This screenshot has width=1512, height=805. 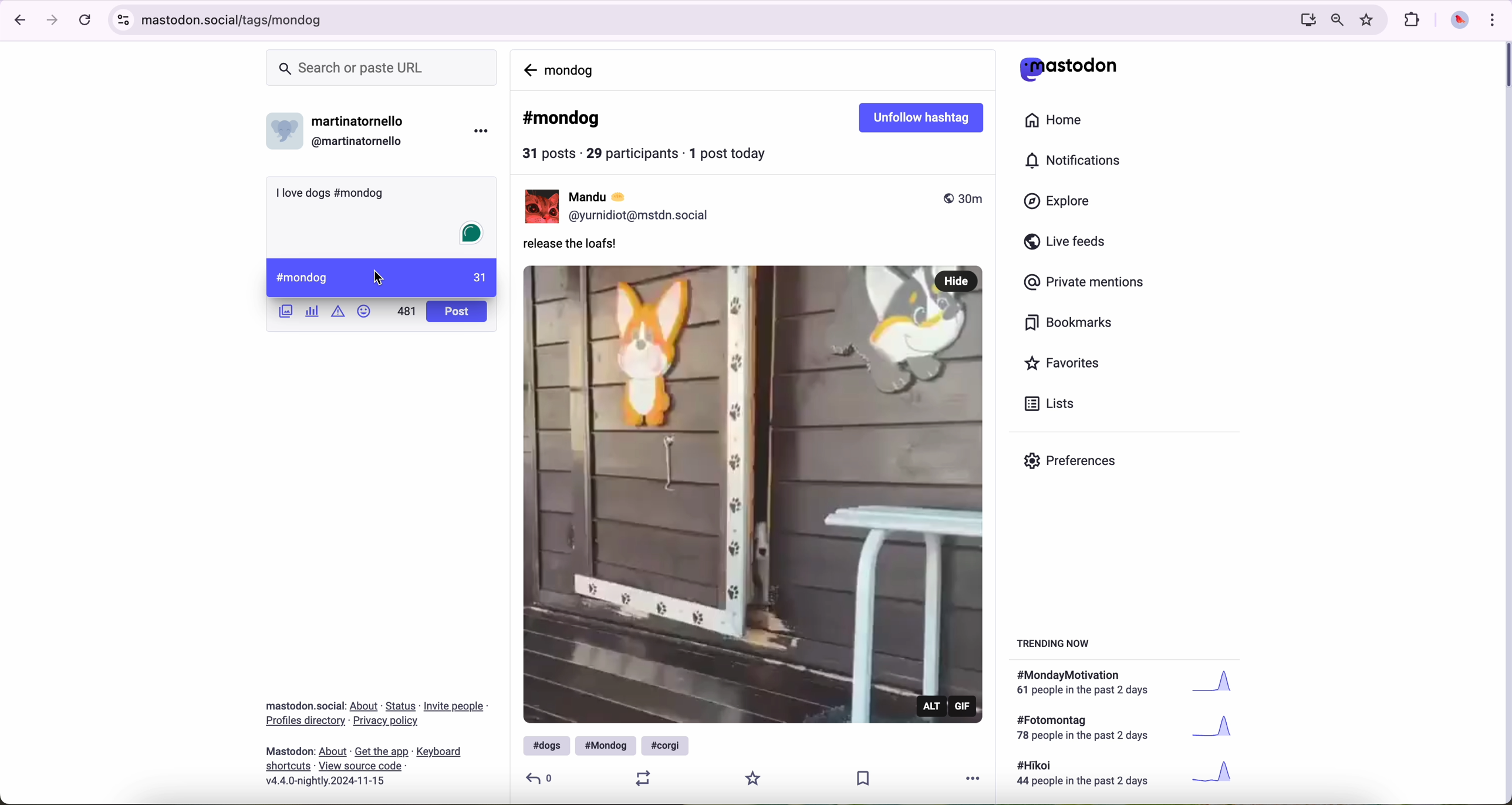 What do you see at coordinates (325, 782) in the screenshot?
I see `version` at bounding box center [325, 782].